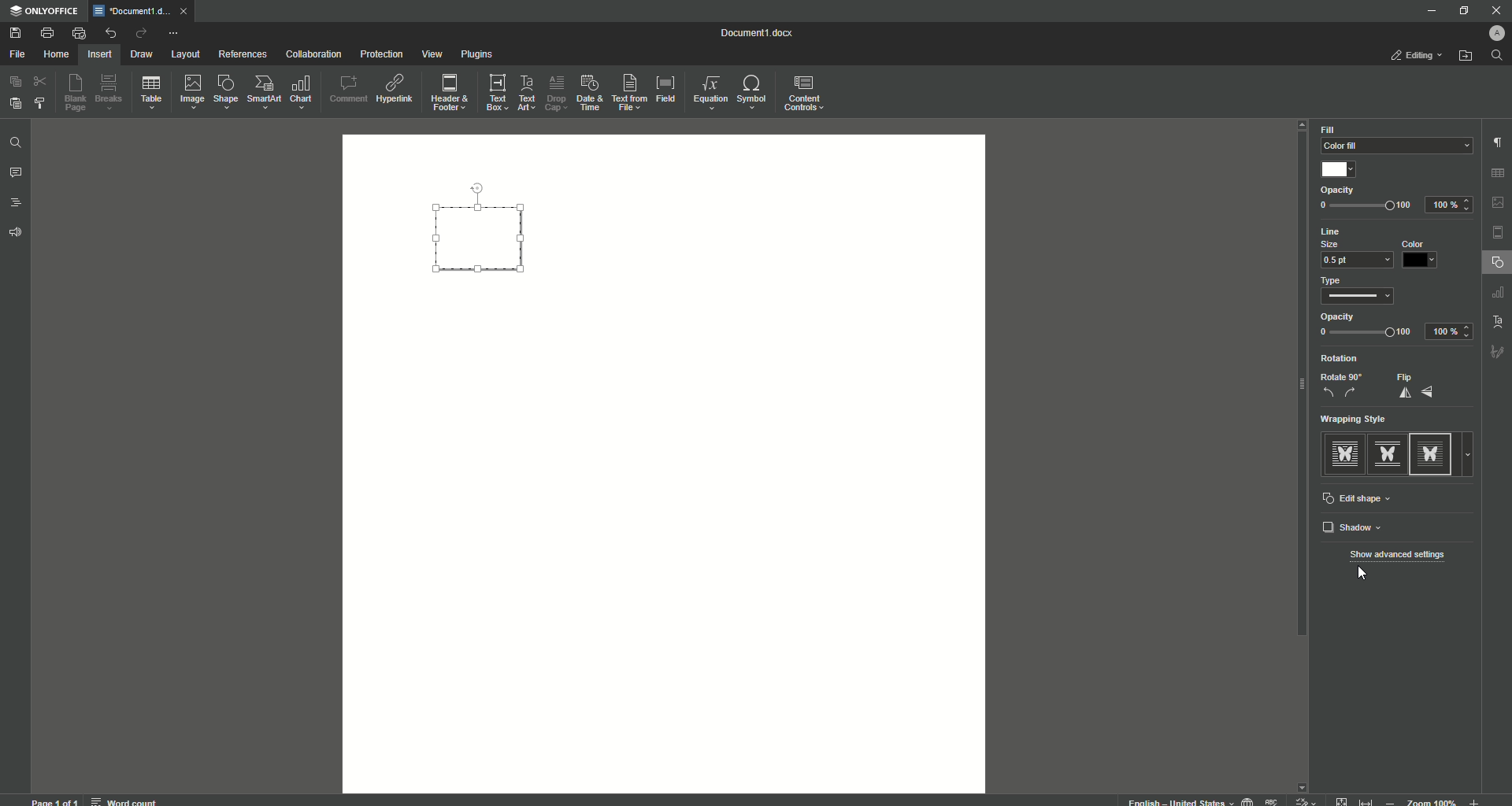 The width and height of the screenshot is (1512, 806). I want to click on View, so click(431, 55).